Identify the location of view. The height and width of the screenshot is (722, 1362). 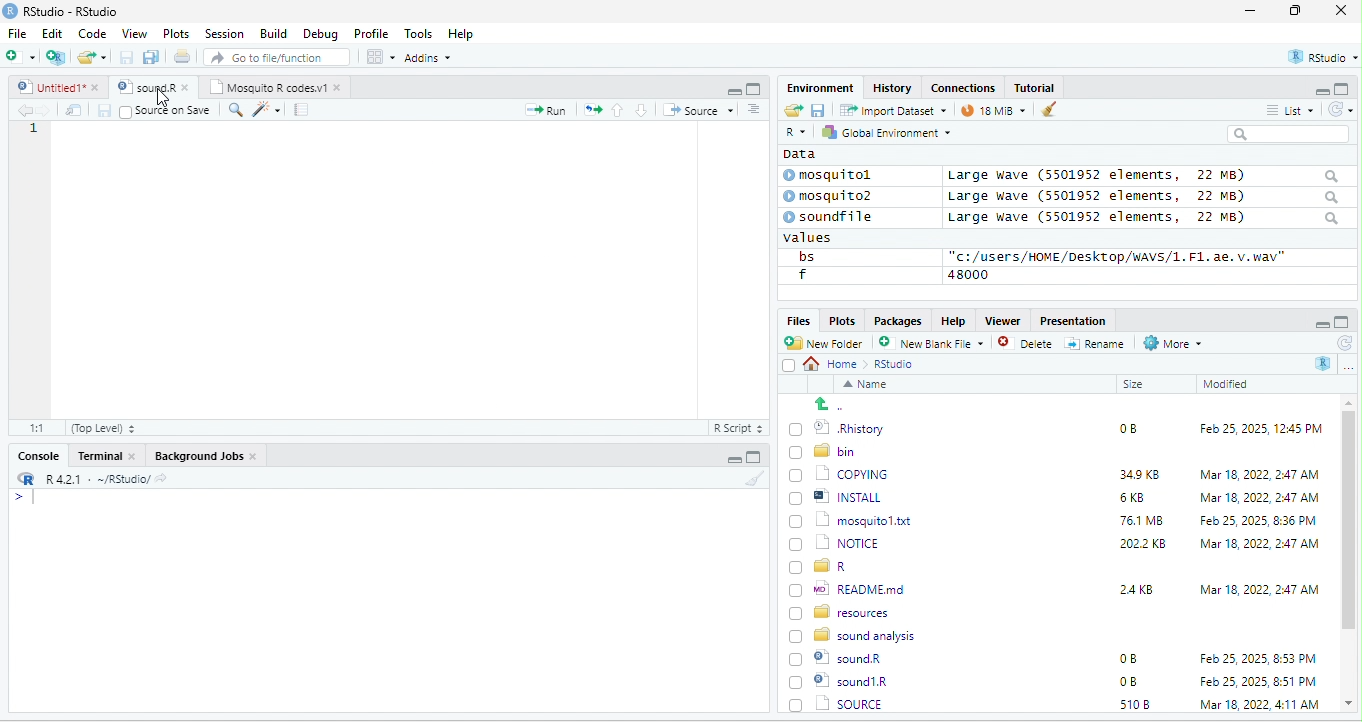
(380, 57).